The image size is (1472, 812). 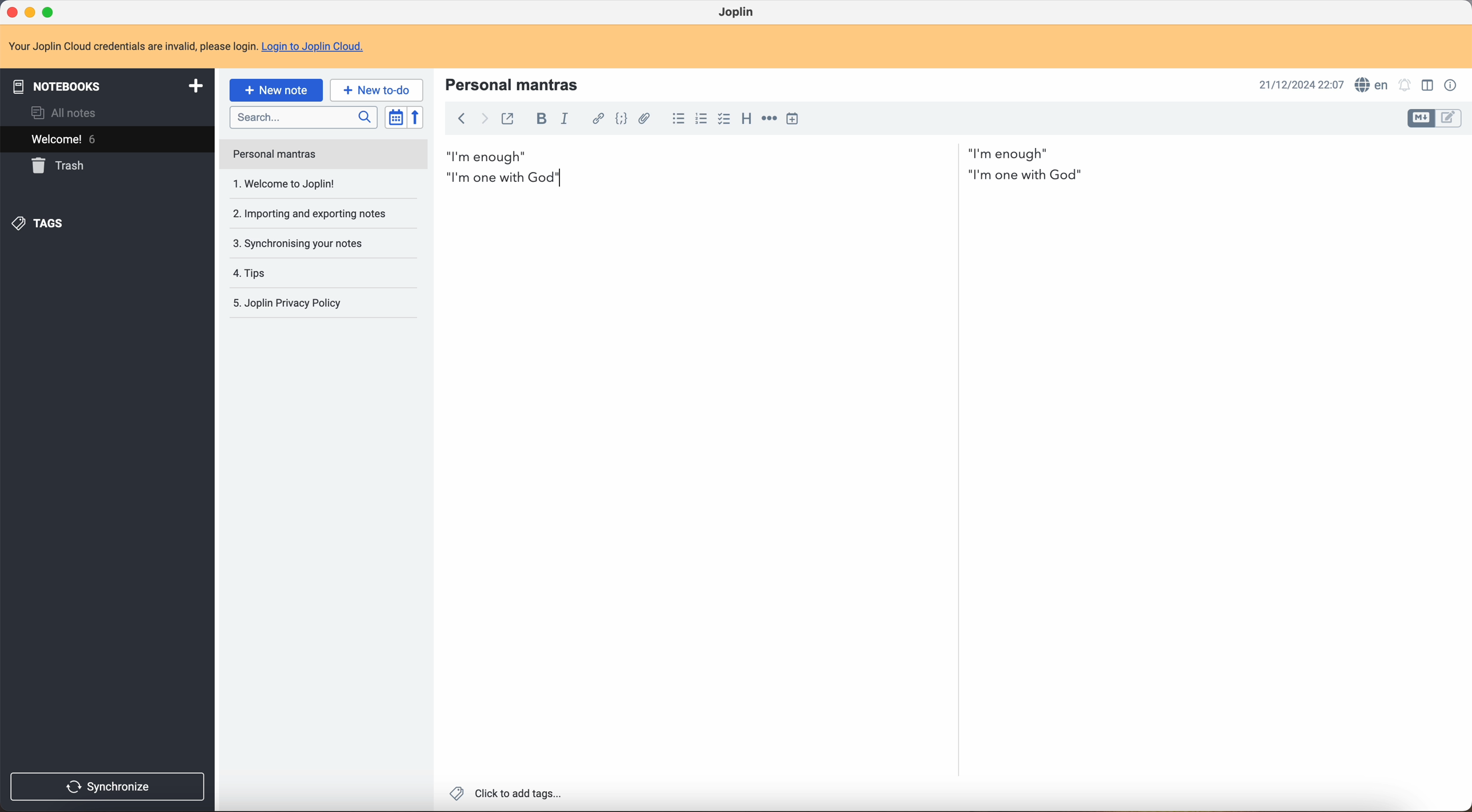 What do you see at coordinates (746, 121) in the screenshot?
I see `heading` at bounding box center [746, 121].